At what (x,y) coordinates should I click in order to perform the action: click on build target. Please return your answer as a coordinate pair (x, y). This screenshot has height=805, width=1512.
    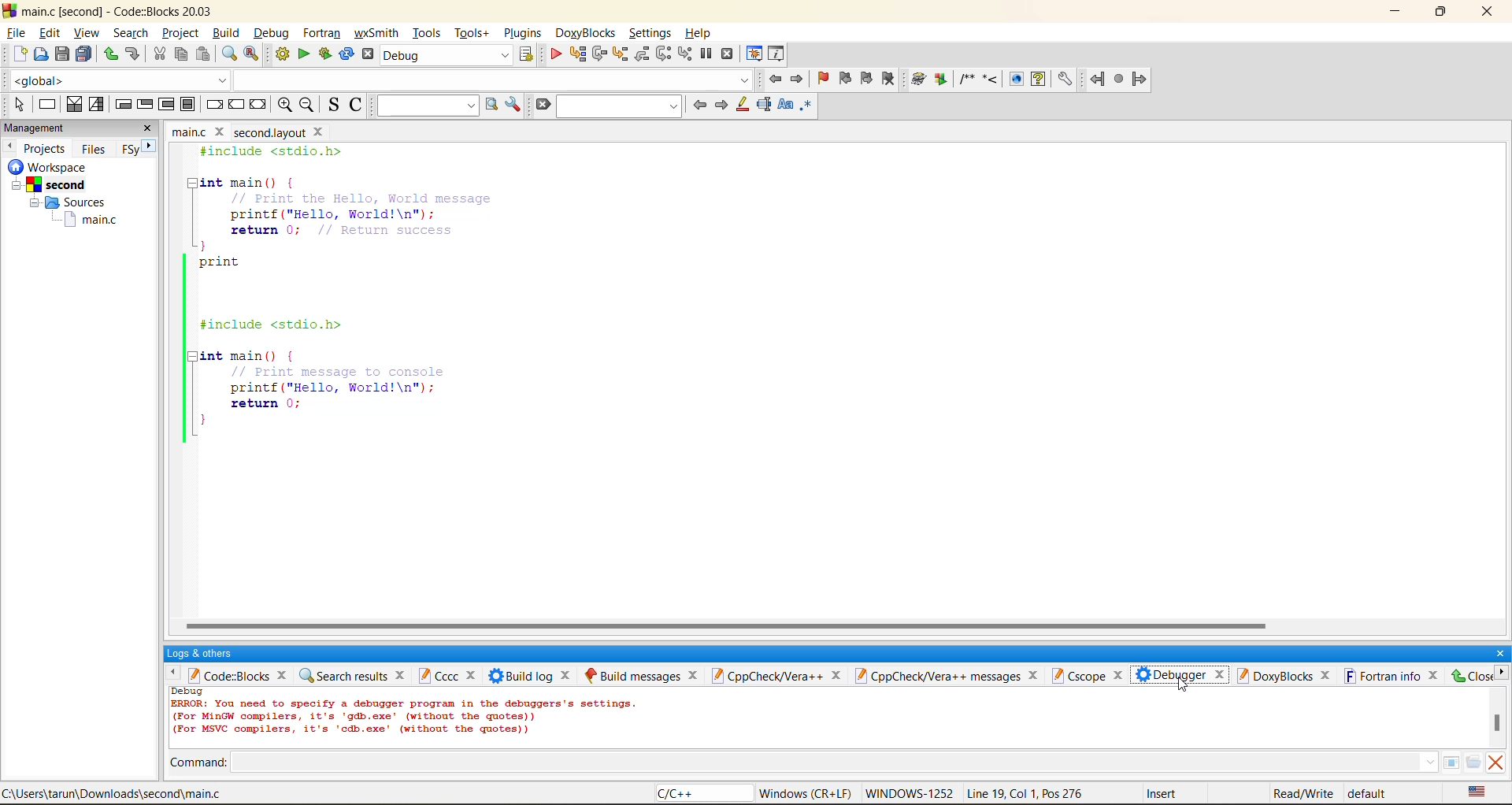
    Looking at the image, I should click on (448, 55).